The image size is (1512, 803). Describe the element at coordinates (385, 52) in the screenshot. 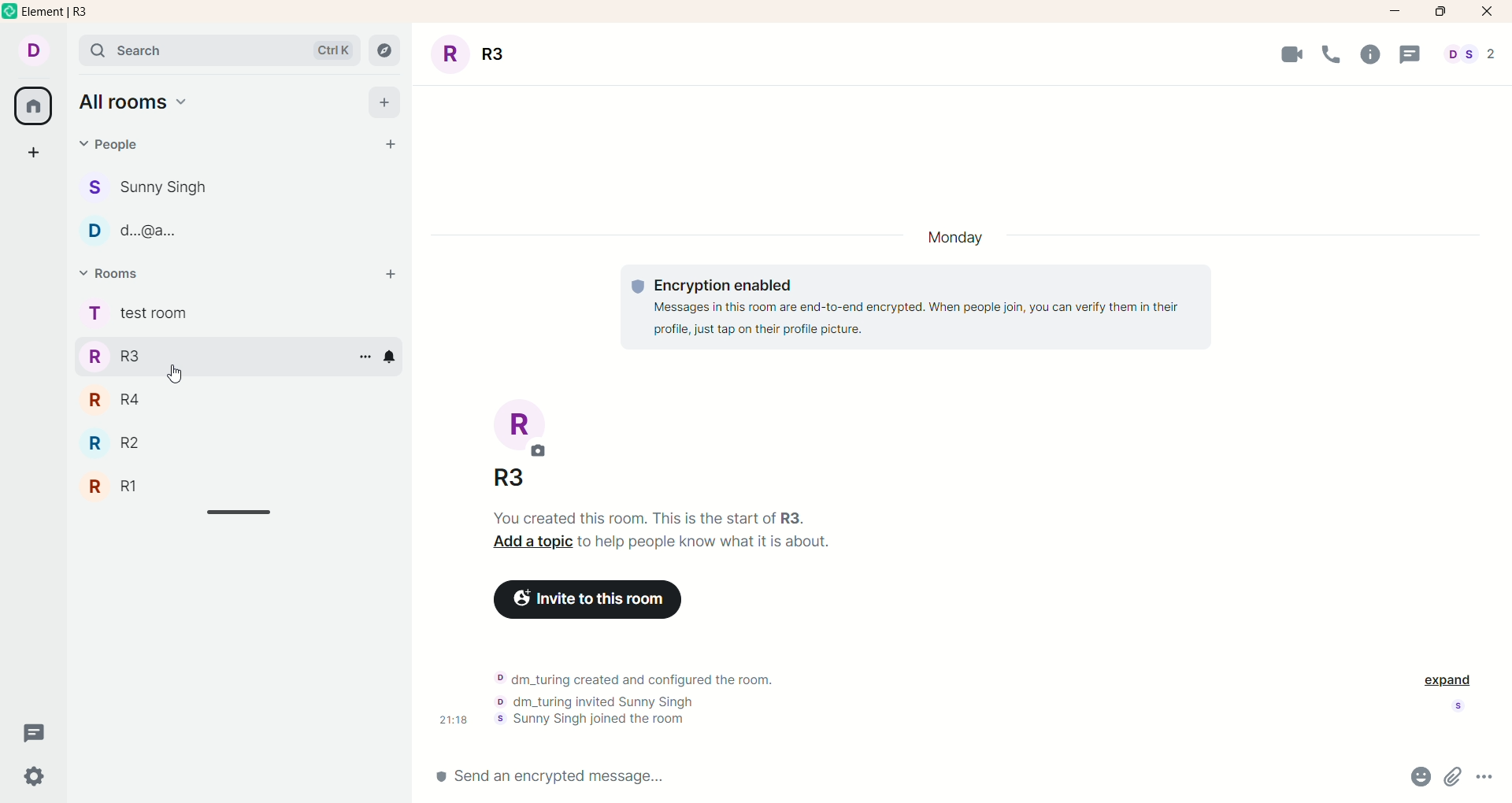

I see `explore rooms` at that location.